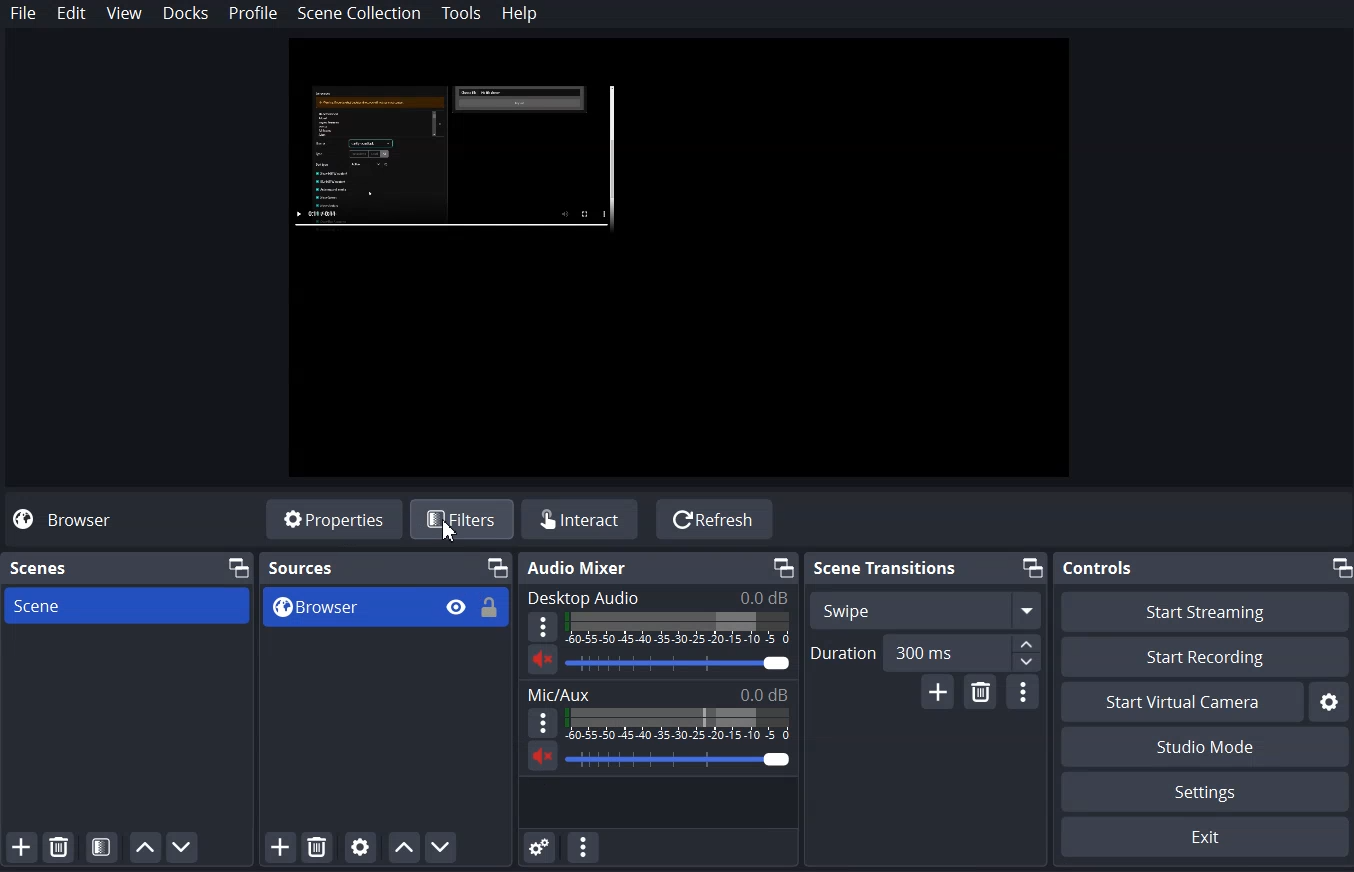  What do you see at coordinates (1205, 656) in the screenshot?
I see `Start Recording` at bounding box center [1205, 656].